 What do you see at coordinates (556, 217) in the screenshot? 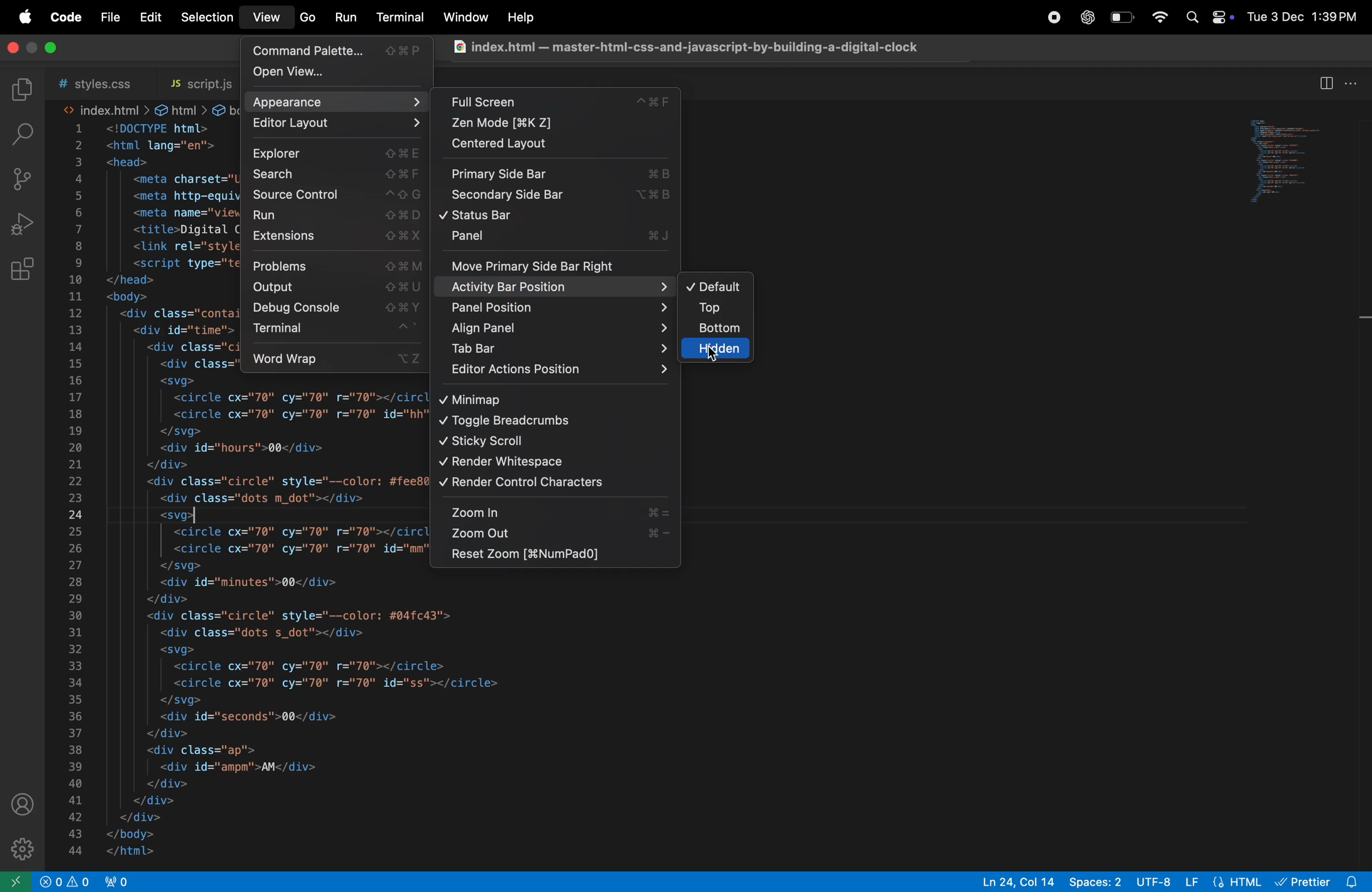
I see `status bar` at bounding box center [556, 217].